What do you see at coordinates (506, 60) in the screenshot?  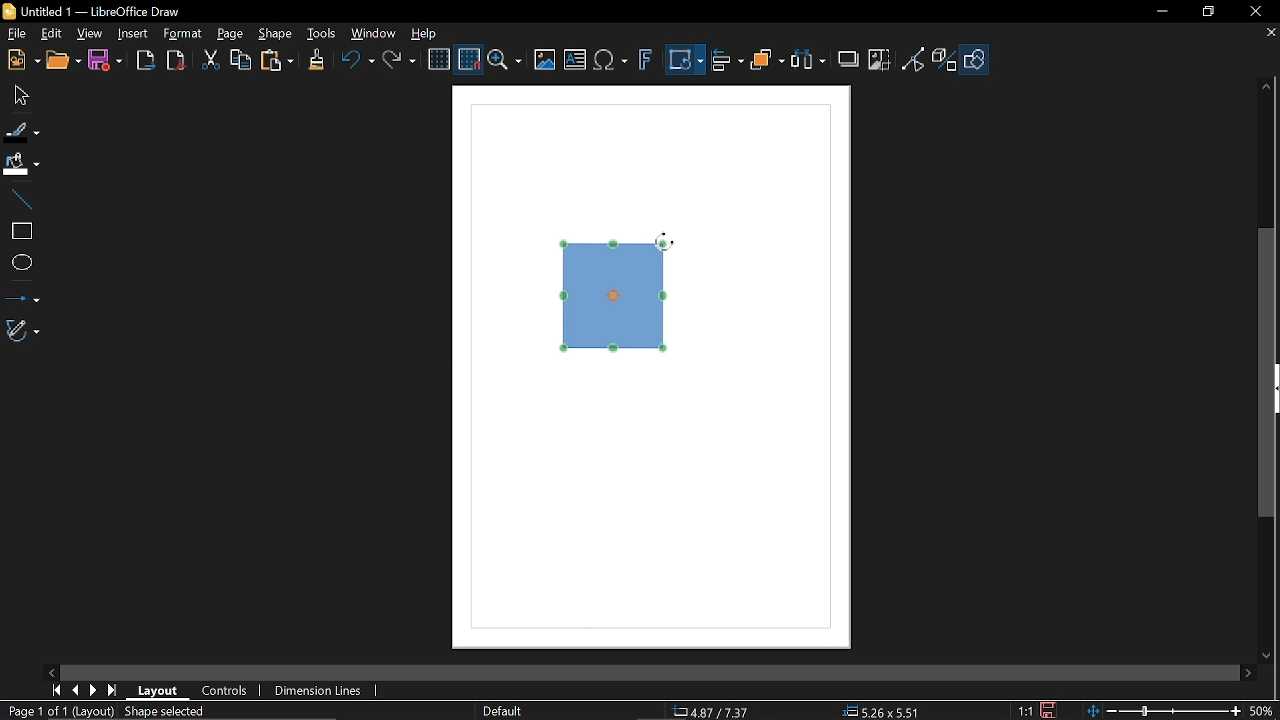 I see `Zoom` at bounding box center [506, 60].